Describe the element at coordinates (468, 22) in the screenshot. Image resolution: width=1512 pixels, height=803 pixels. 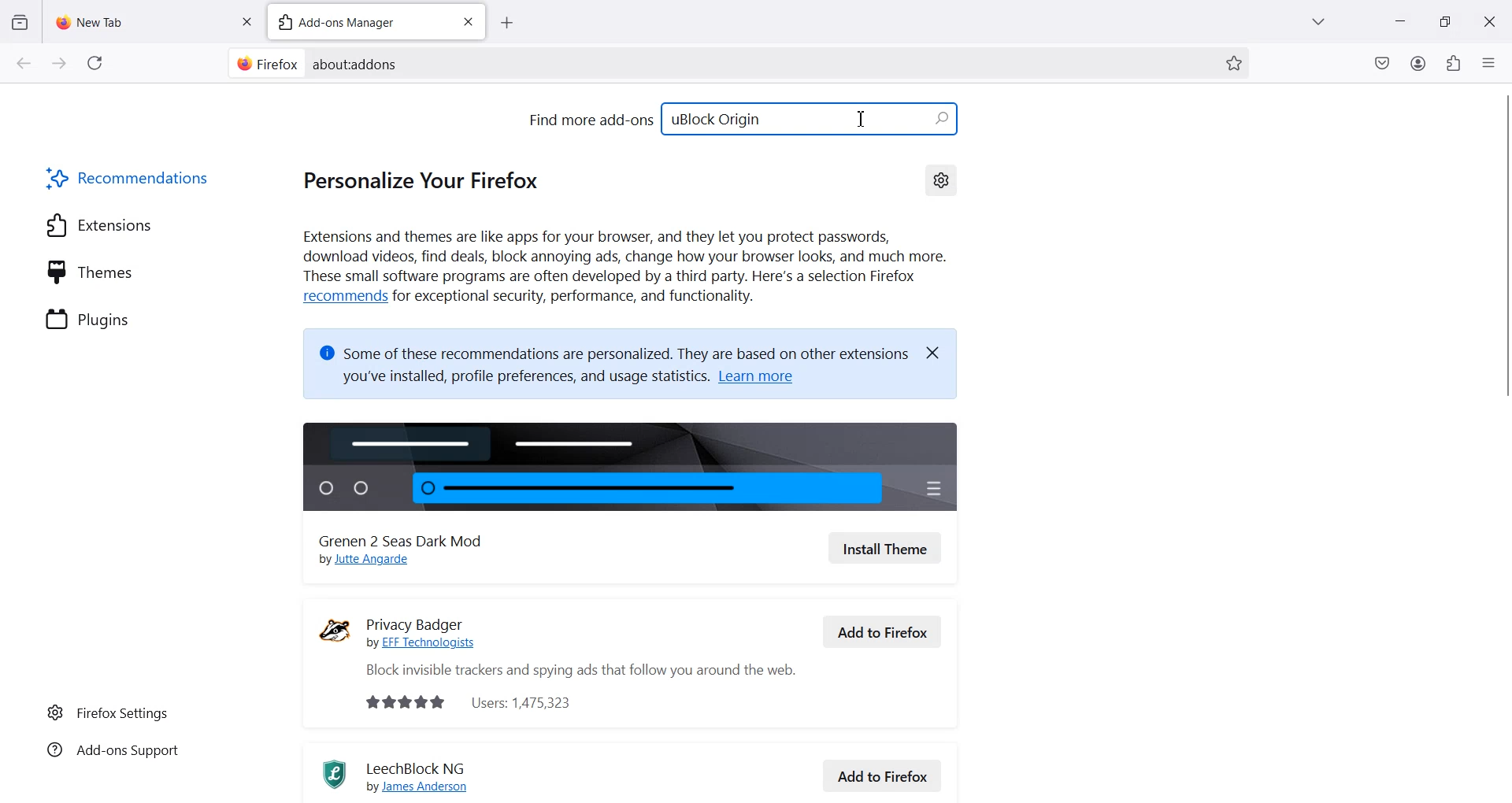
I see `Close tab` at that location.